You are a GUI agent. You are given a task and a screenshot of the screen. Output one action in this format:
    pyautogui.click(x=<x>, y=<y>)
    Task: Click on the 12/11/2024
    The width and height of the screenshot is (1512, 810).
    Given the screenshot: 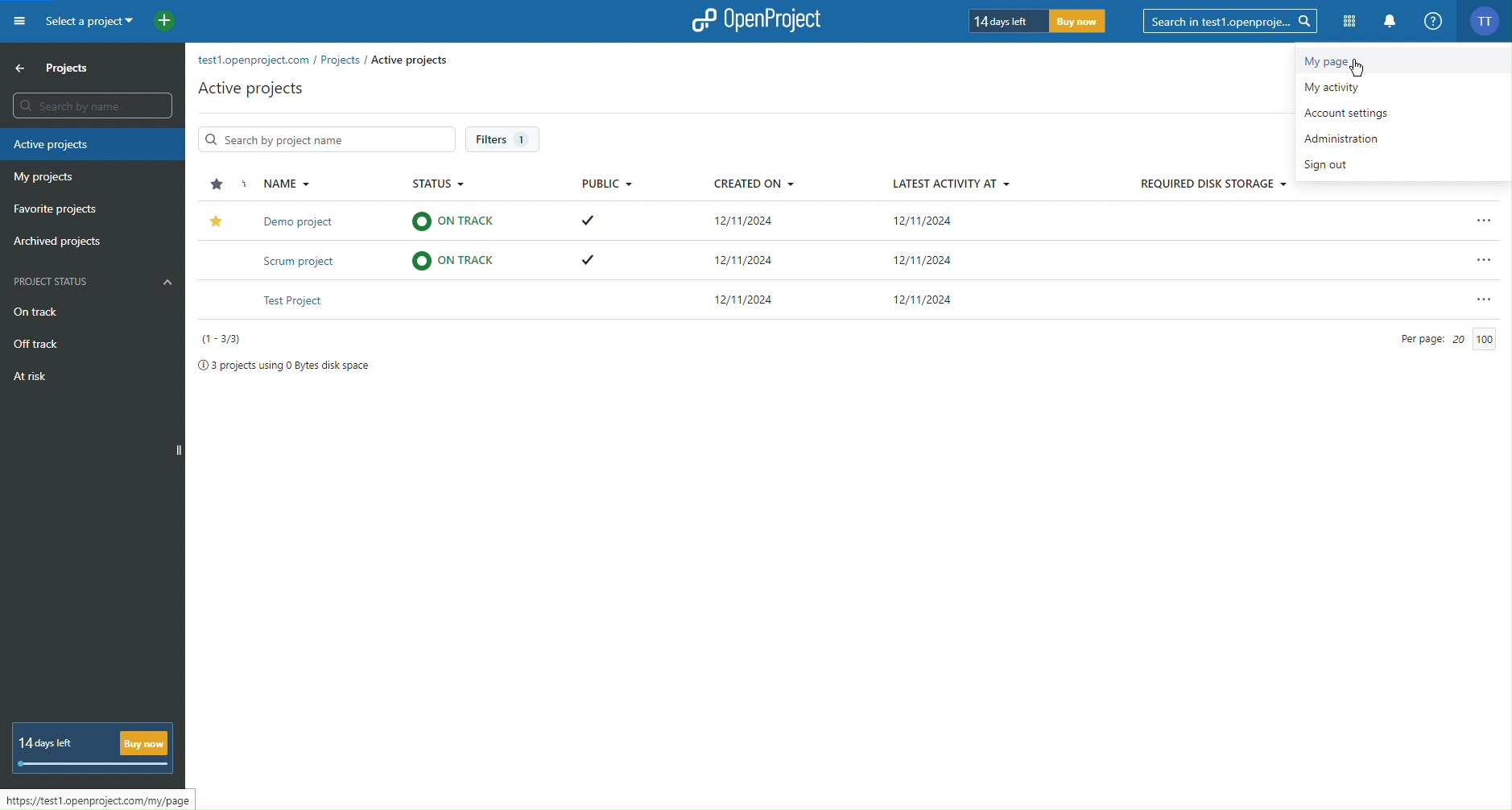 What is the action you would take?
    pyautogui.click(x=746, y=257)
    